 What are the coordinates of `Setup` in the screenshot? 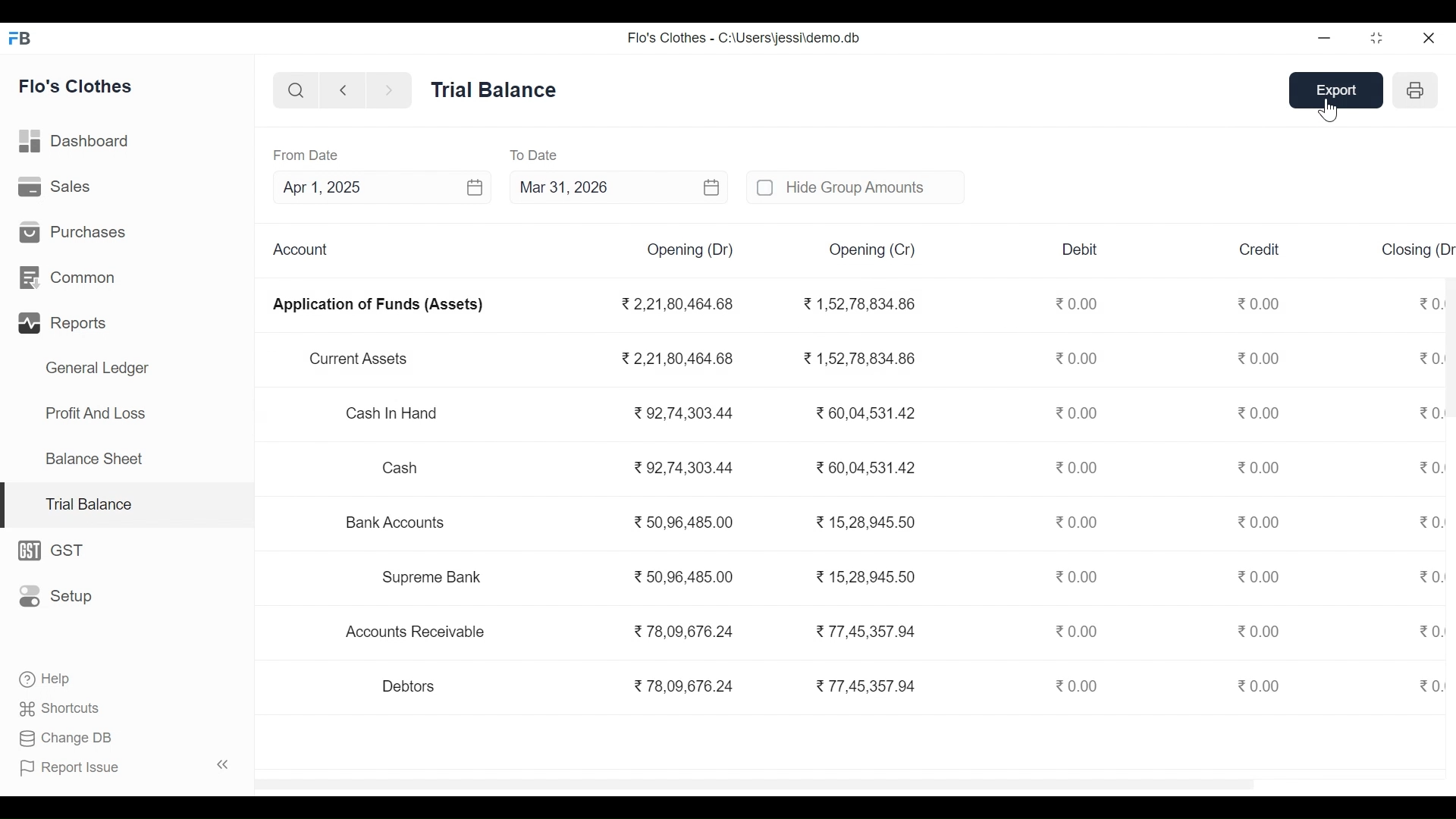 It's located at (56, 597).